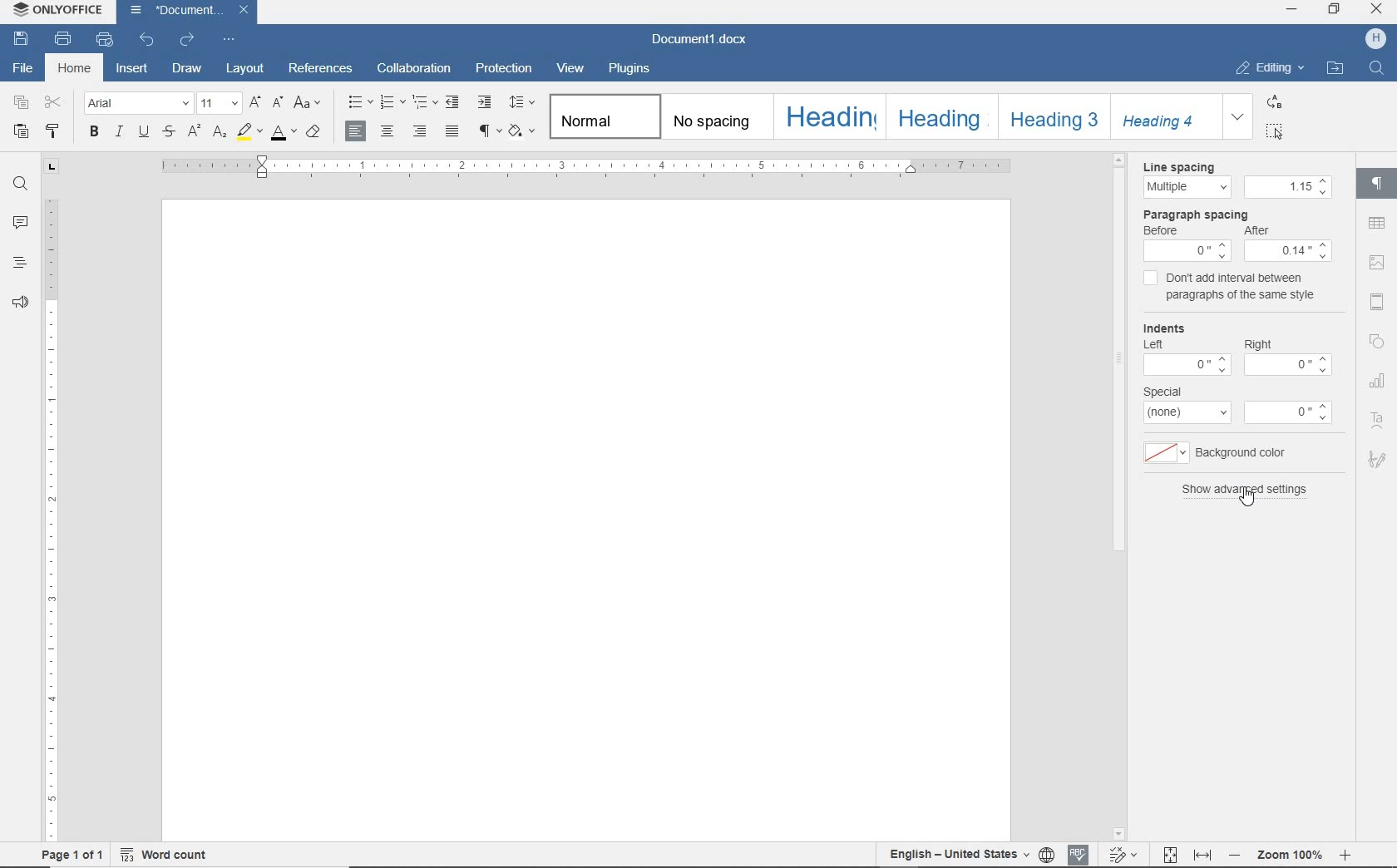 This screenshot has height=868, width=1397. I want to click on bold, so click(94, 134).